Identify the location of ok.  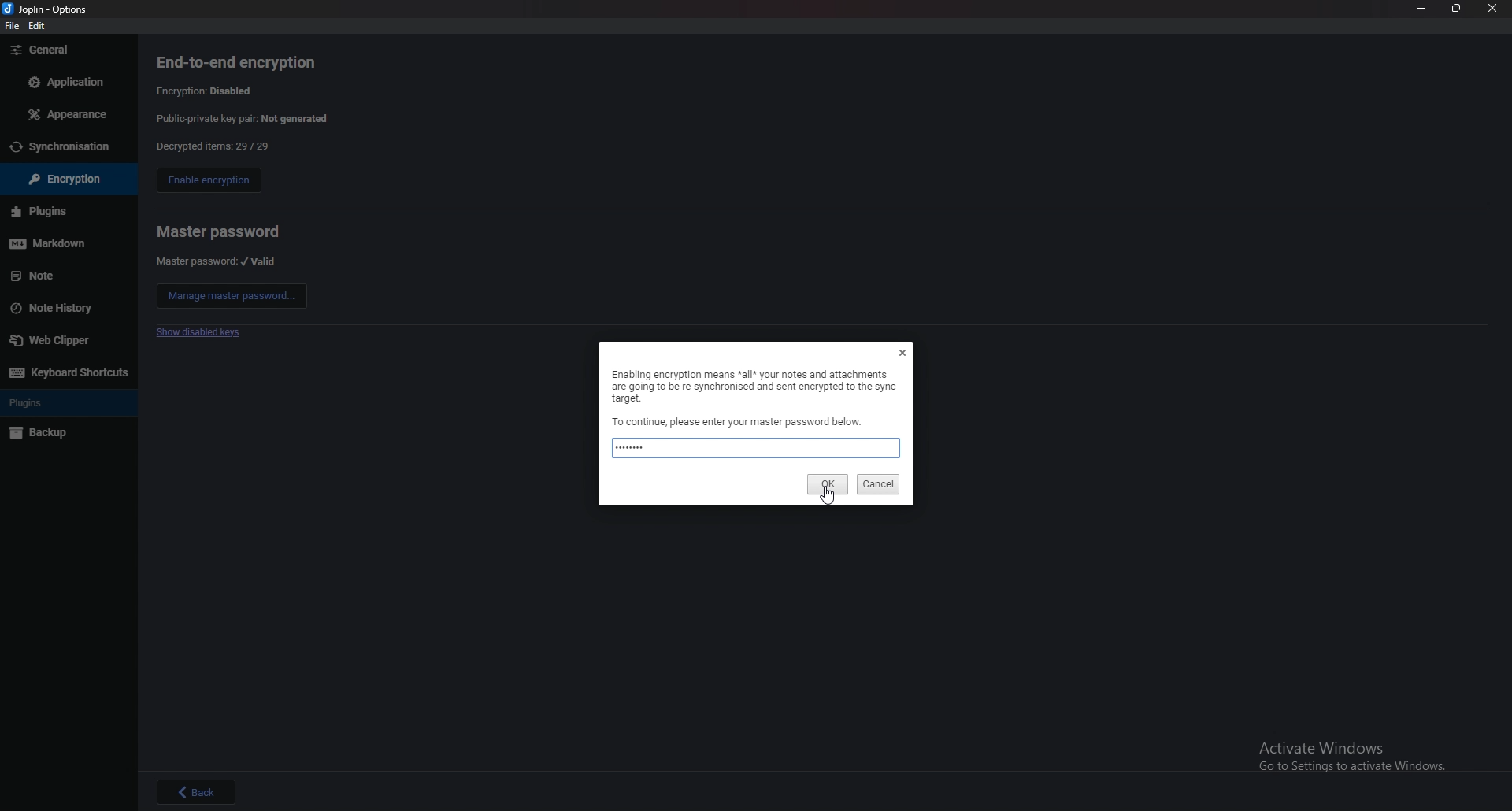
(827, 483).